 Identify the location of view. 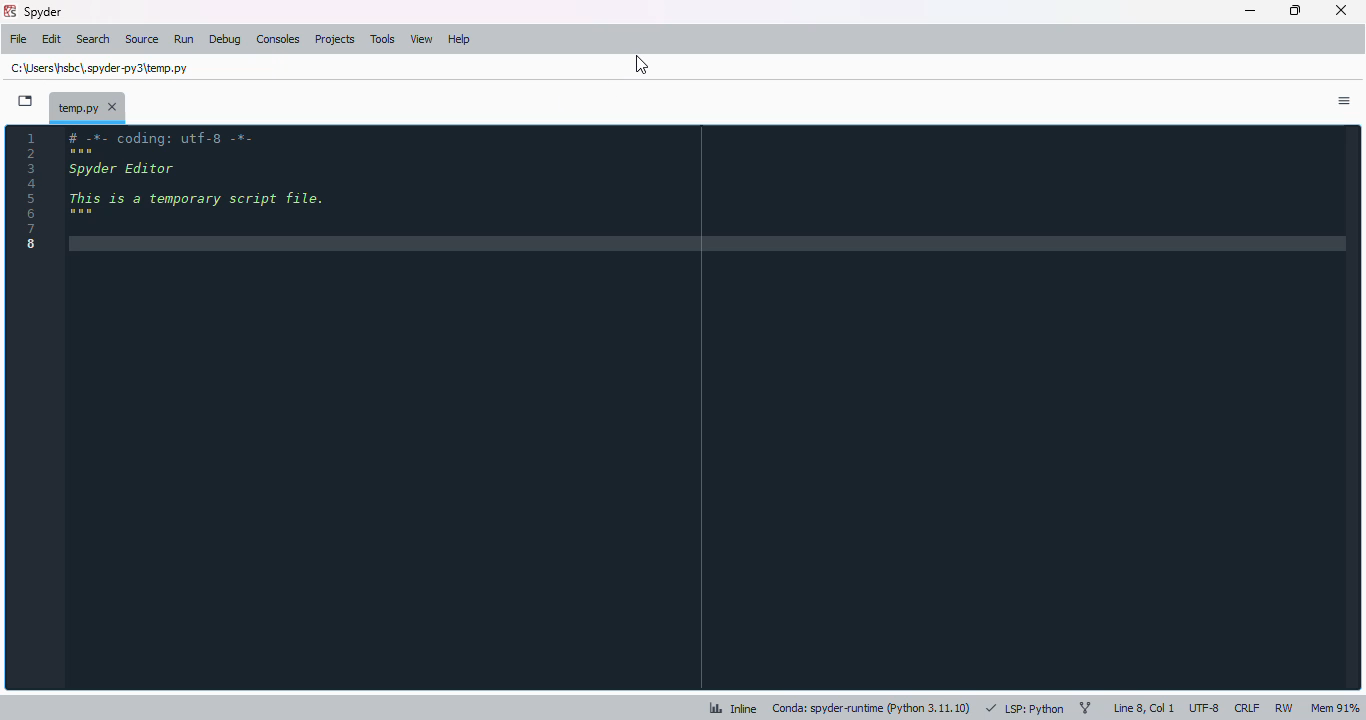
(421, 39).